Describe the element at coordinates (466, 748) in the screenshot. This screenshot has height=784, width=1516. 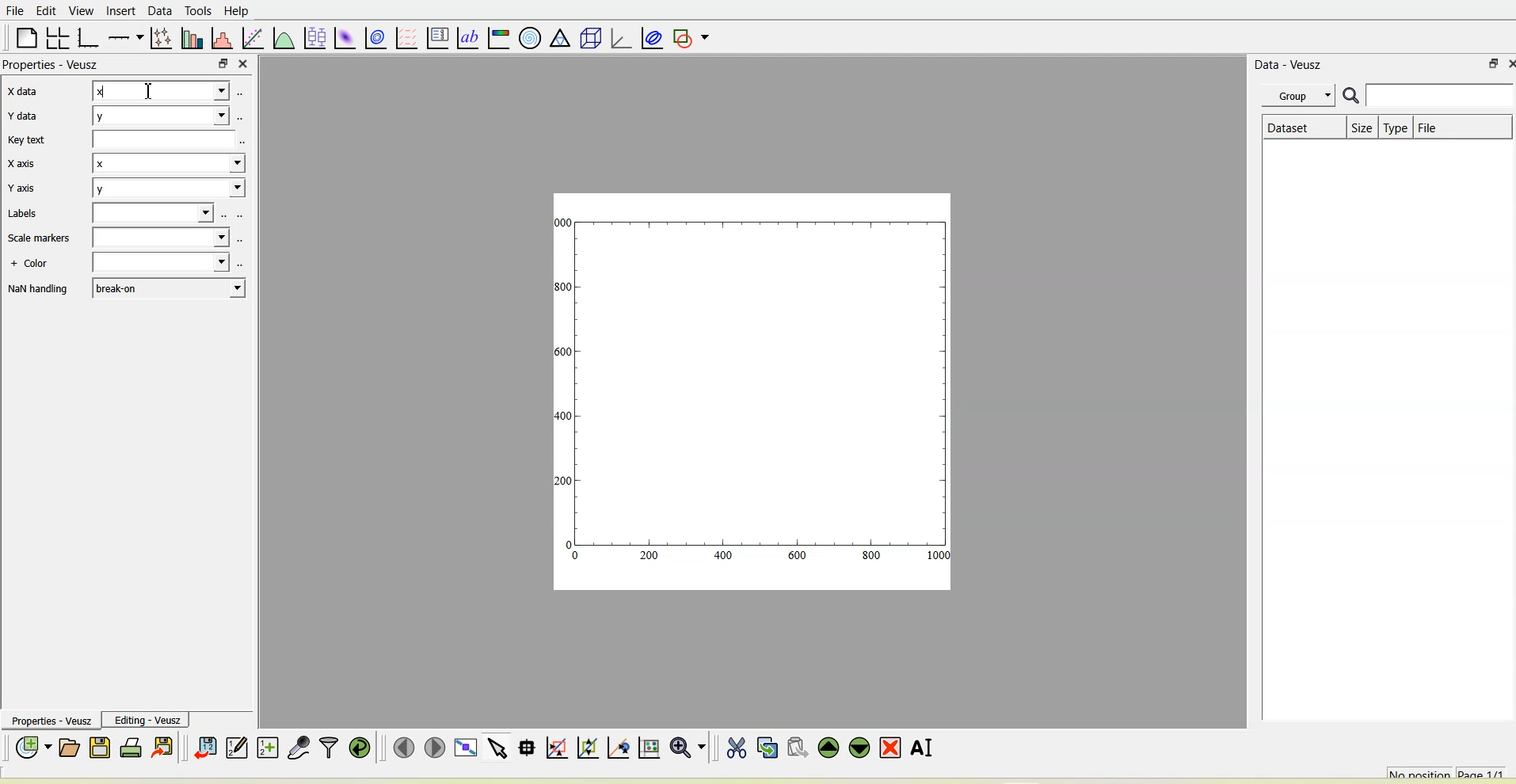
I see `View plot full screen` at that location.